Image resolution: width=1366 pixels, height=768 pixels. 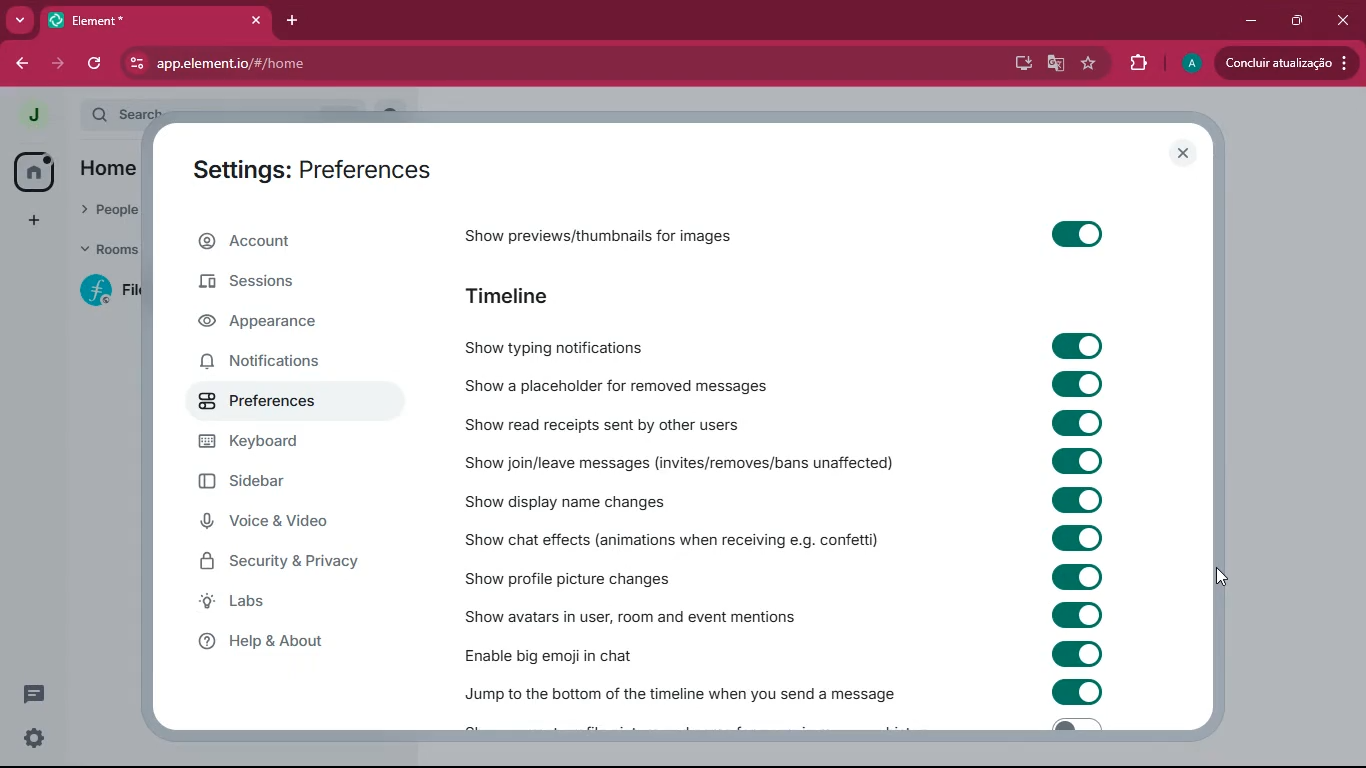 What do you see at coordinates (283, 403) in the screenshot?
I see `preferences` at bounding box center [283, 403].